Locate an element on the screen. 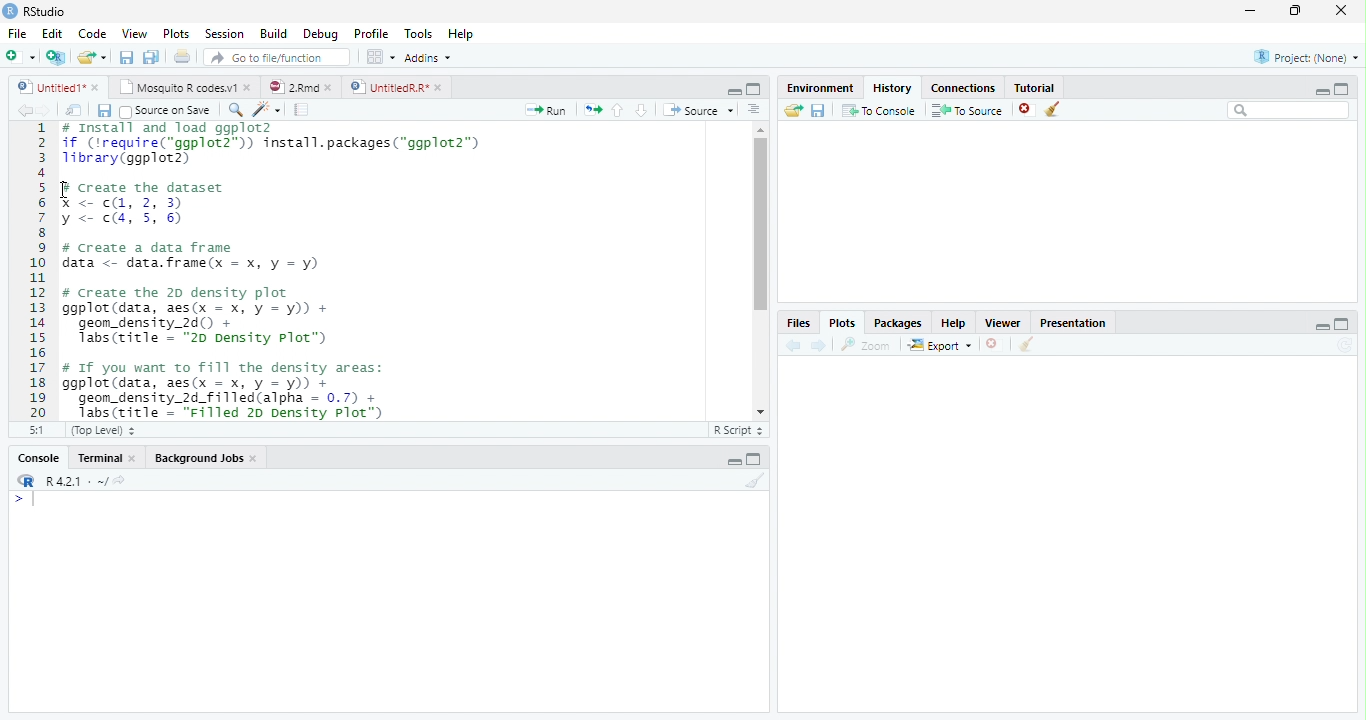 This screenshot has width=1366, height=720. Project: (None) is located at coordinates (1305, 57).